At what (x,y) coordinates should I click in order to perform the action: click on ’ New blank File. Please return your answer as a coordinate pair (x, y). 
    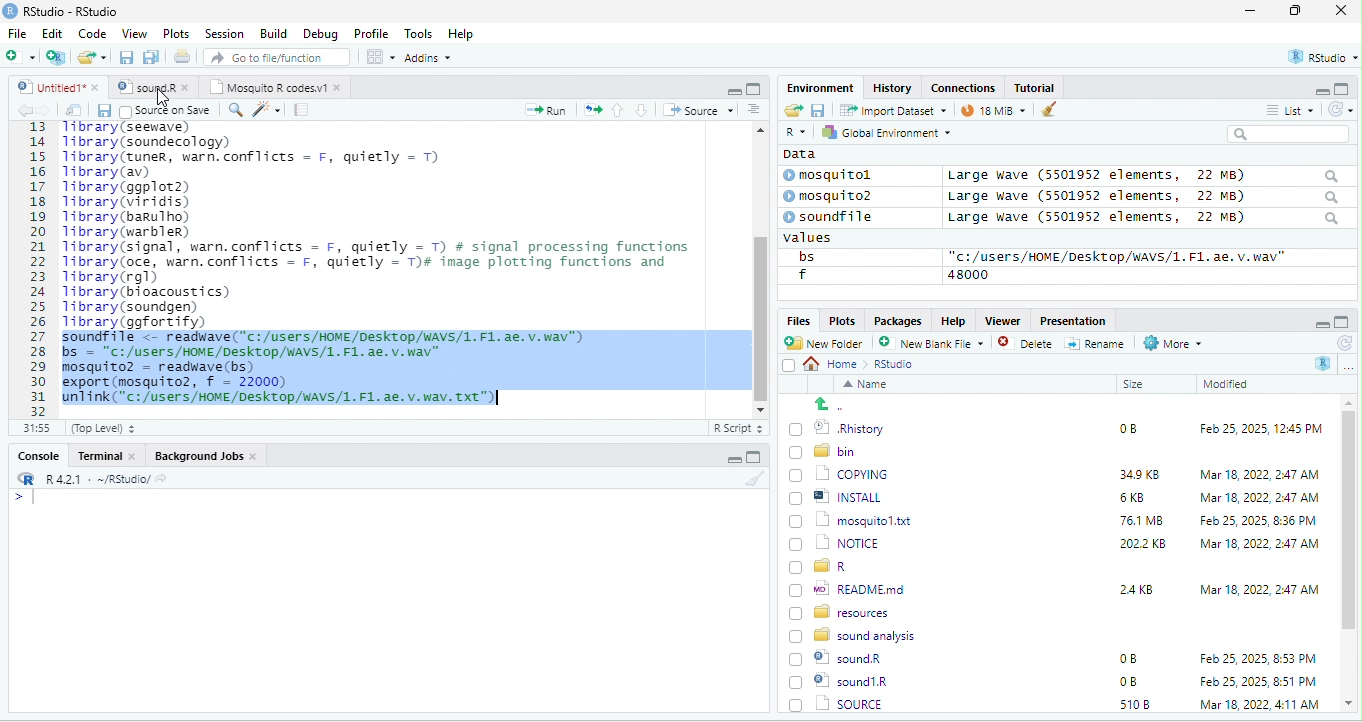
    Looking at the image, I should click on (937, 346).